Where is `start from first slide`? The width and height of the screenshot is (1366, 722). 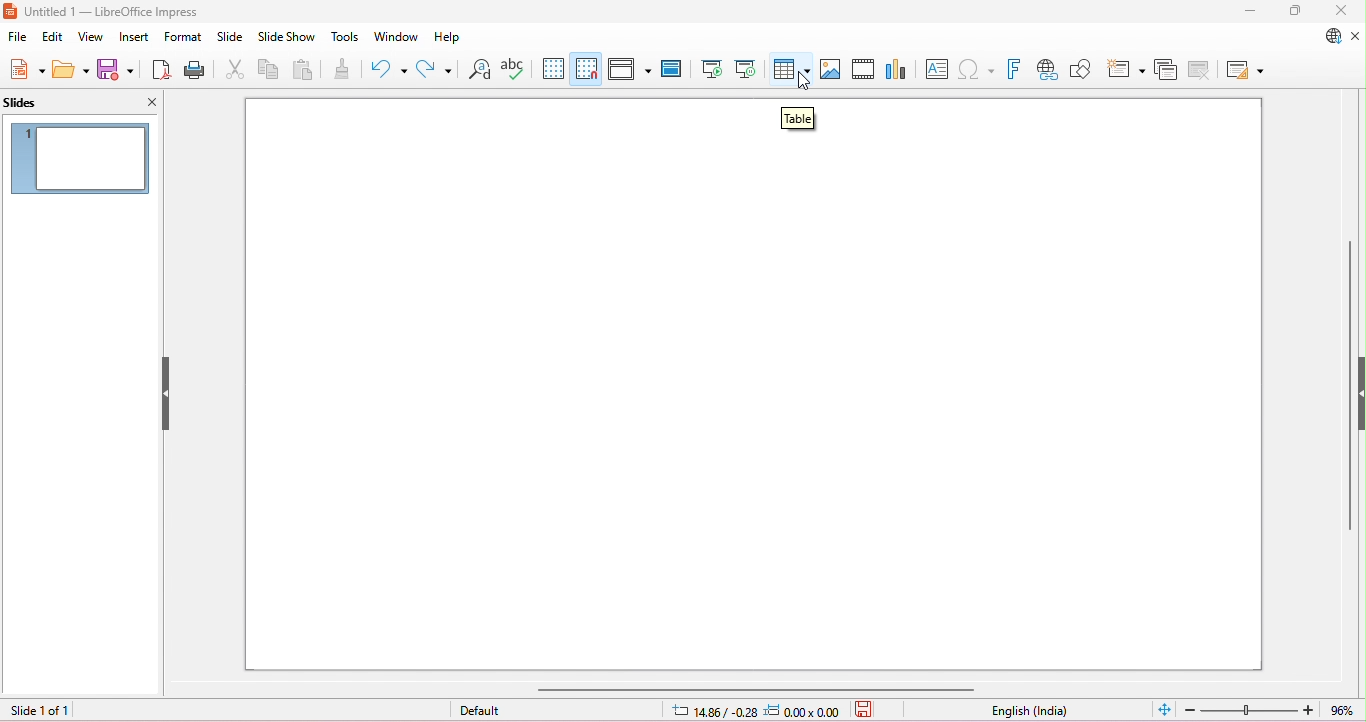 start from first slide is located at coordinates (713, 69).